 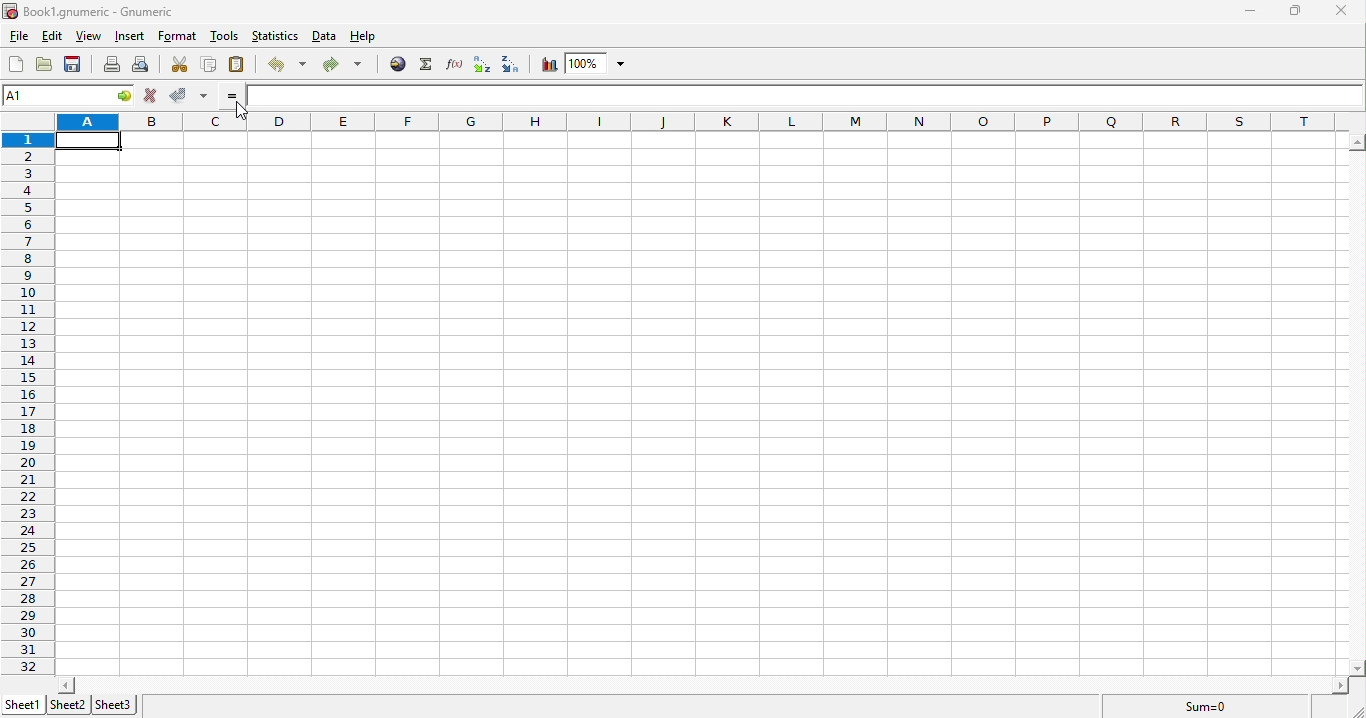 What do you see at coordinates (482, 65) in the screenshot?
I see `sort ascending` at bounding box center [482, 65].